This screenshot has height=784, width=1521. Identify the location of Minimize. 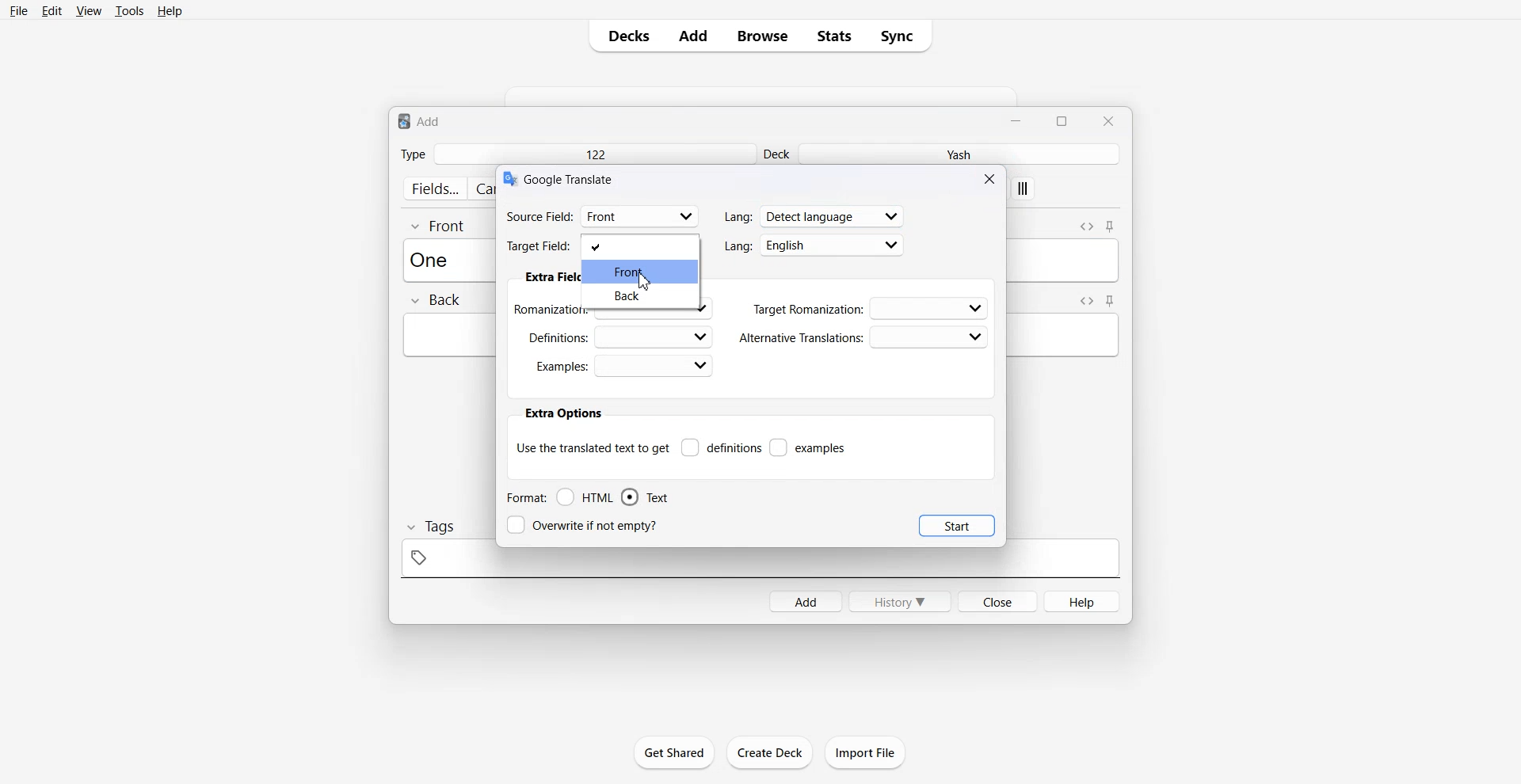
(1018, 120).